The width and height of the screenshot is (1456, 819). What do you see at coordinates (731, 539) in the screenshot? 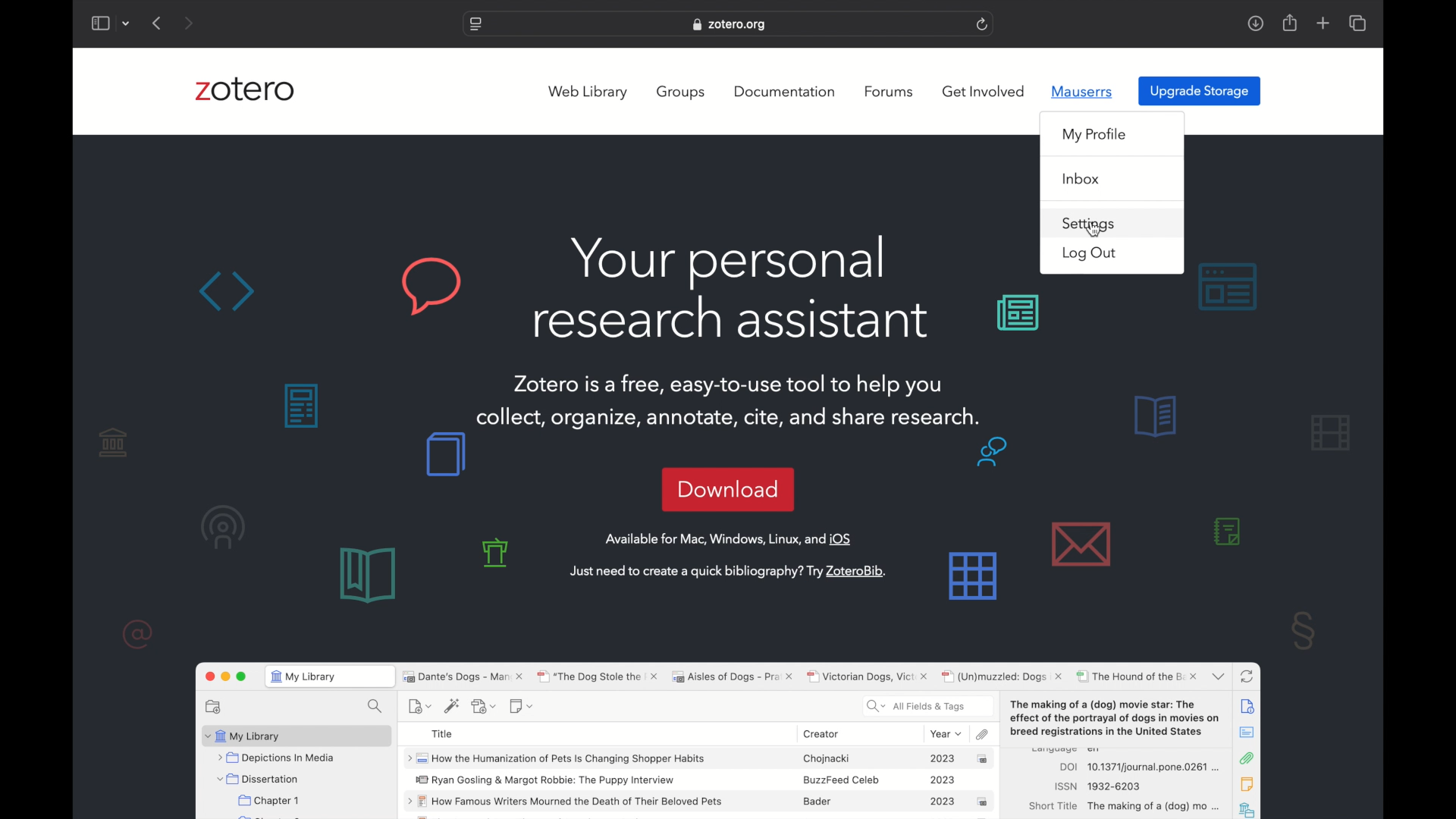
I see `Available for Mac, Windows, Linux, and iOS` at bounding box center [731, 539].